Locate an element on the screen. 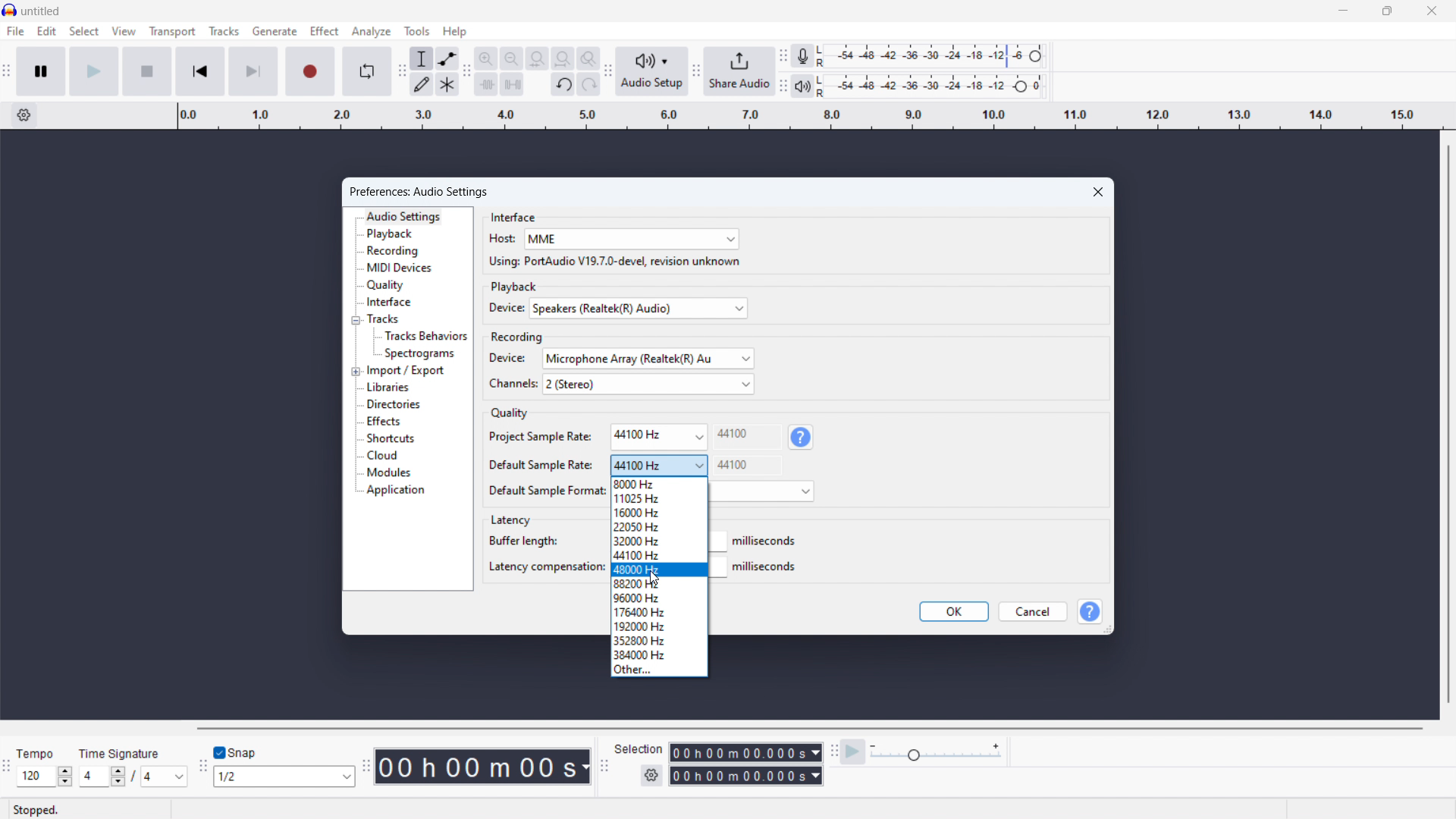 The width and height of the screenshot is (1456, 819). fit project to width is located at coordinates (562, 58).